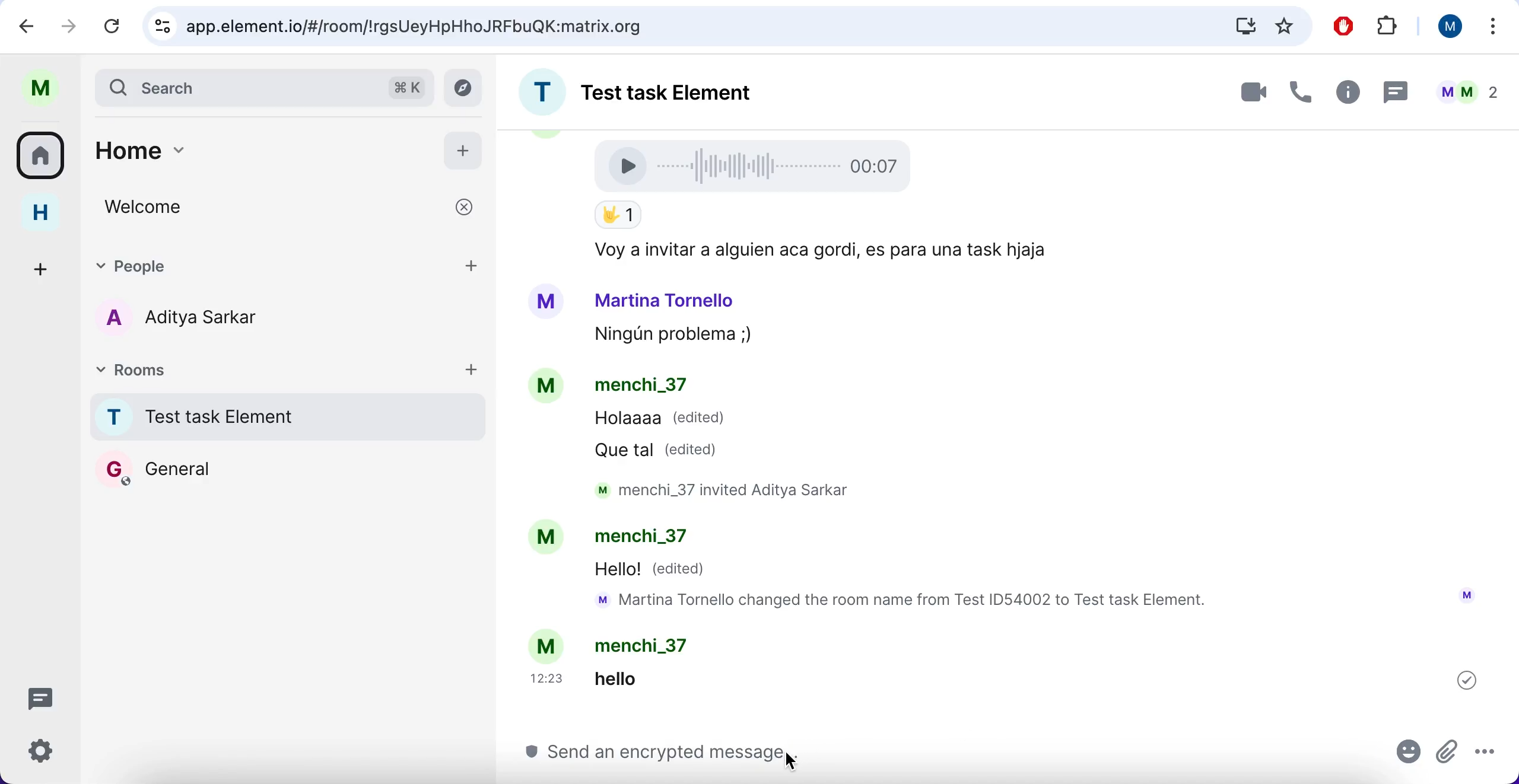  Describe the element at coordinates (1394, 91) in the screenshot. I see `thread` at that location.